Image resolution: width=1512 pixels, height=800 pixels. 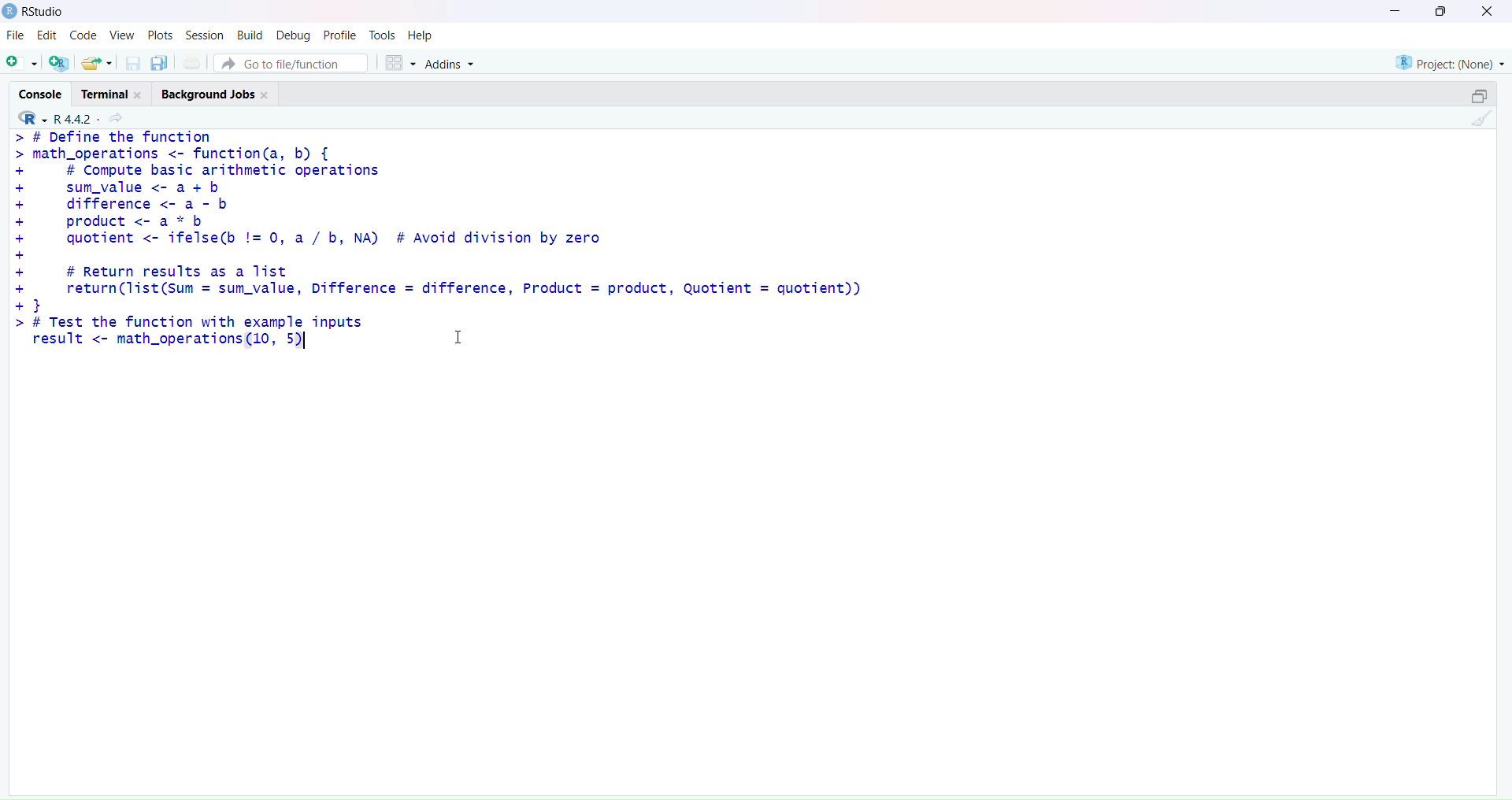 I want to click on Open an existing file (Ctrl + O), so click(x=96, y=63).